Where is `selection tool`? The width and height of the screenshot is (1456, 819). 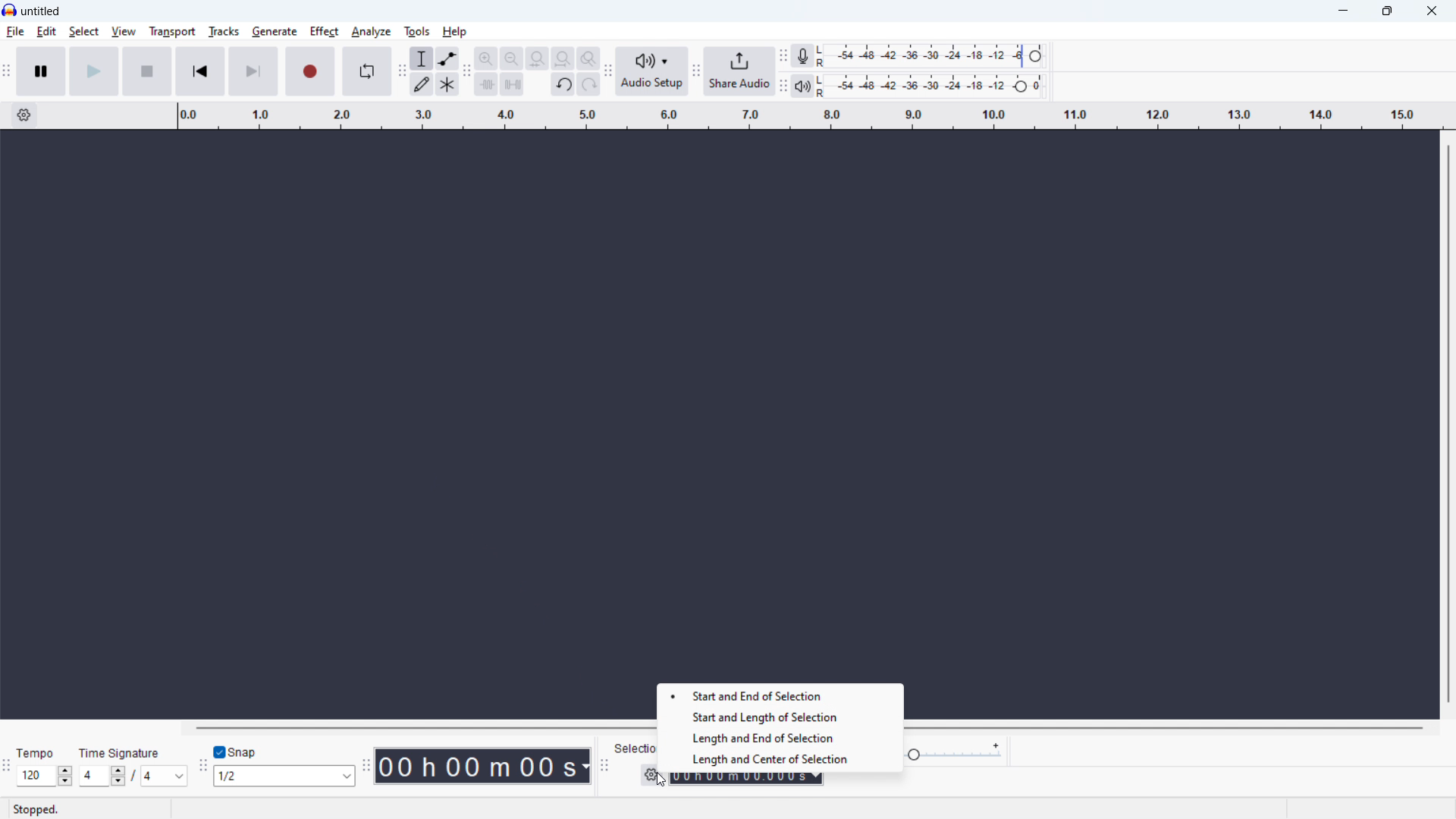 selection tool is located at coordinates (421, 58).